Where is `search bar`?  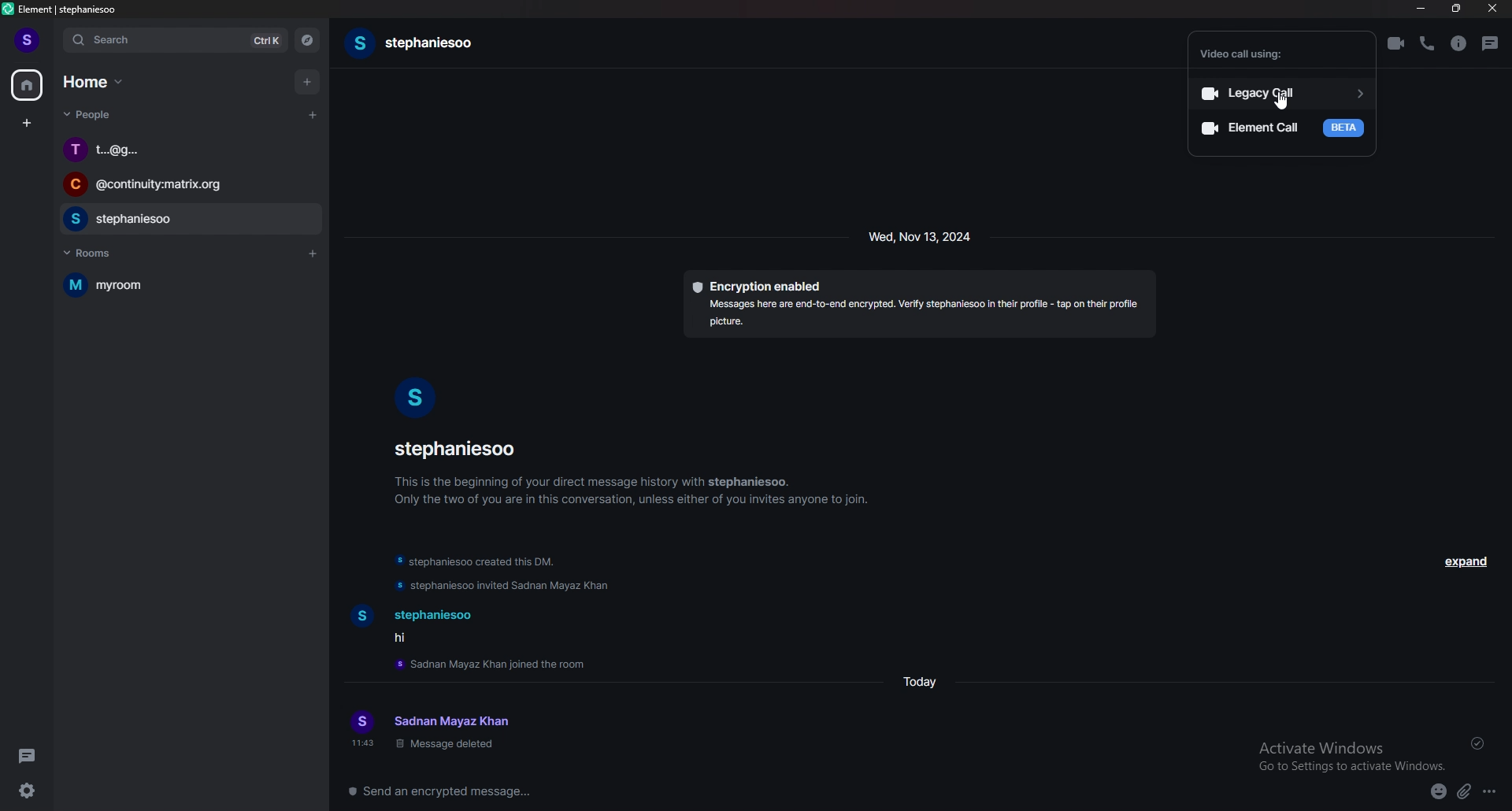
search bar is located at coordinates (175, 41).